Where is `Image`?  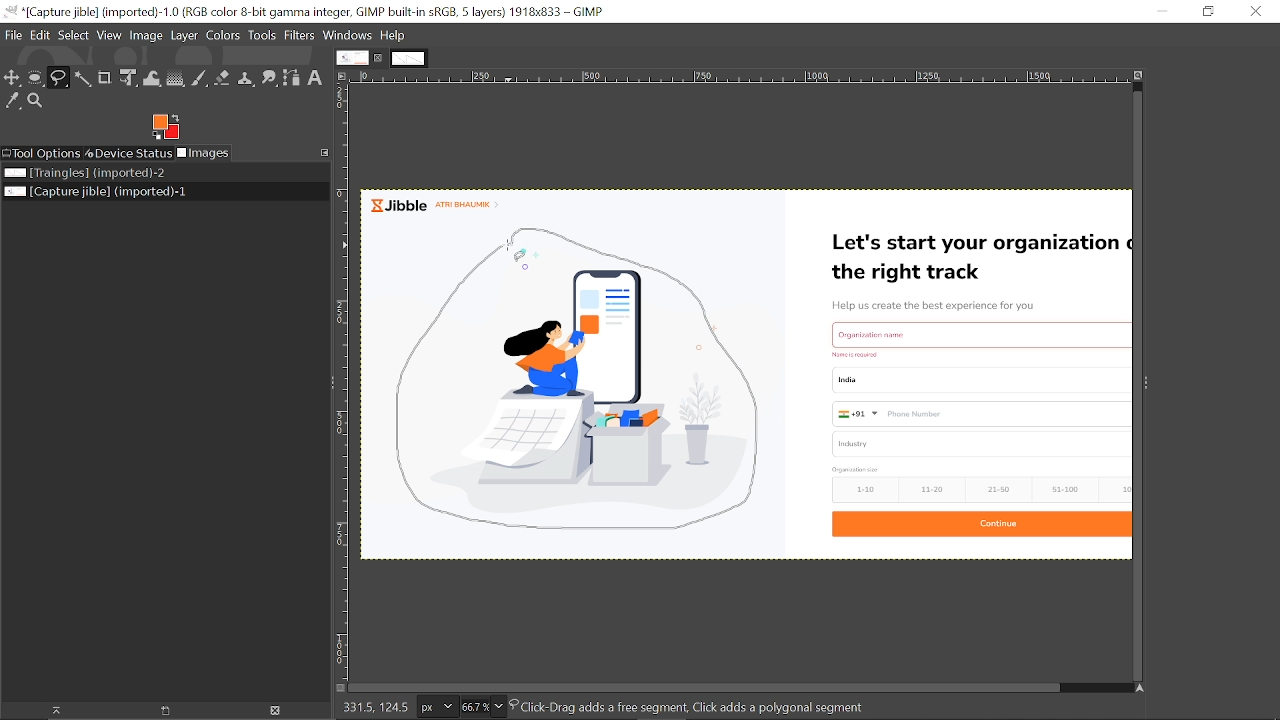
Image is located at coordinates (145, 37).